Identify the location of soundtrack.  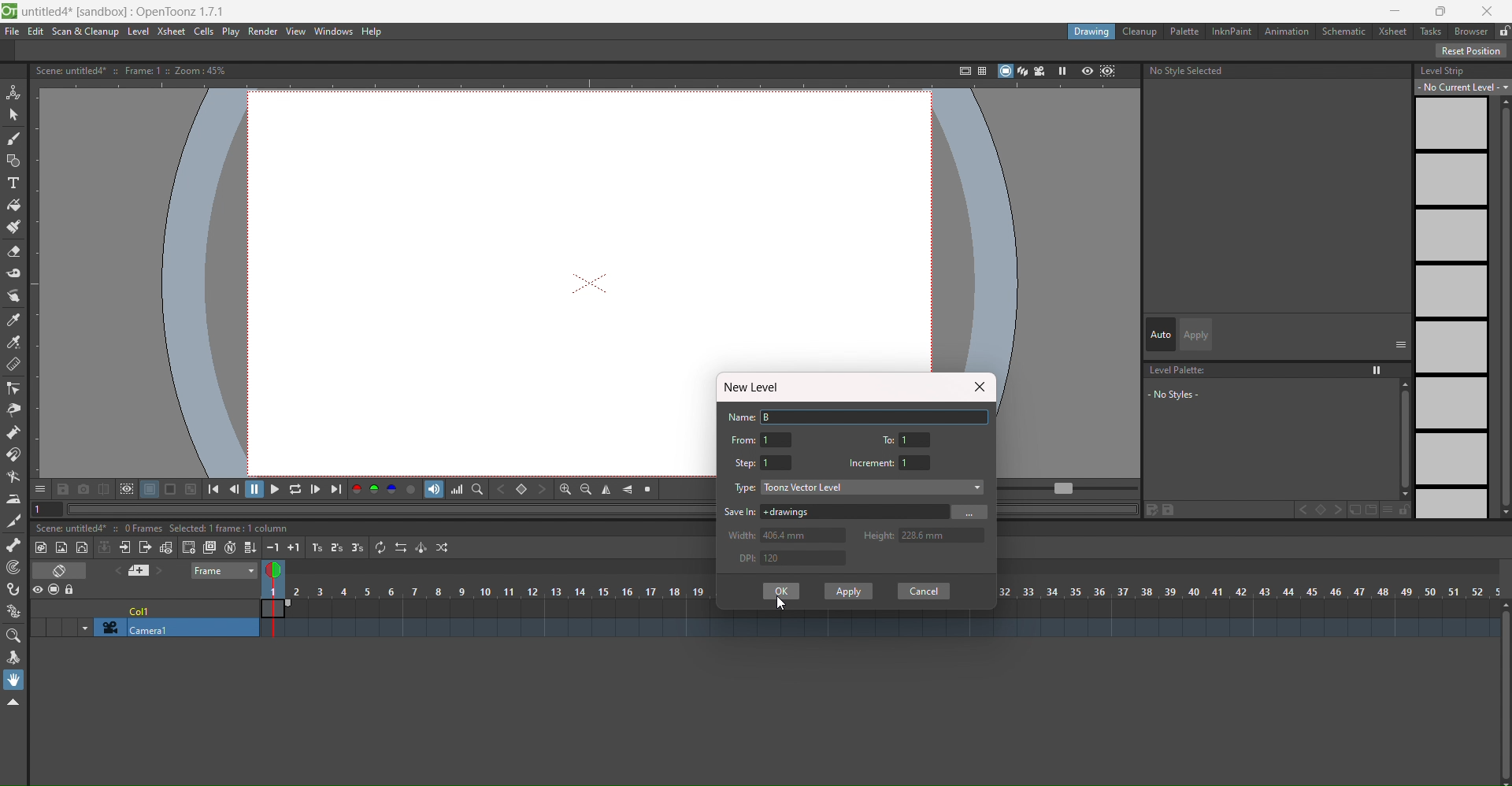
(434, 489).